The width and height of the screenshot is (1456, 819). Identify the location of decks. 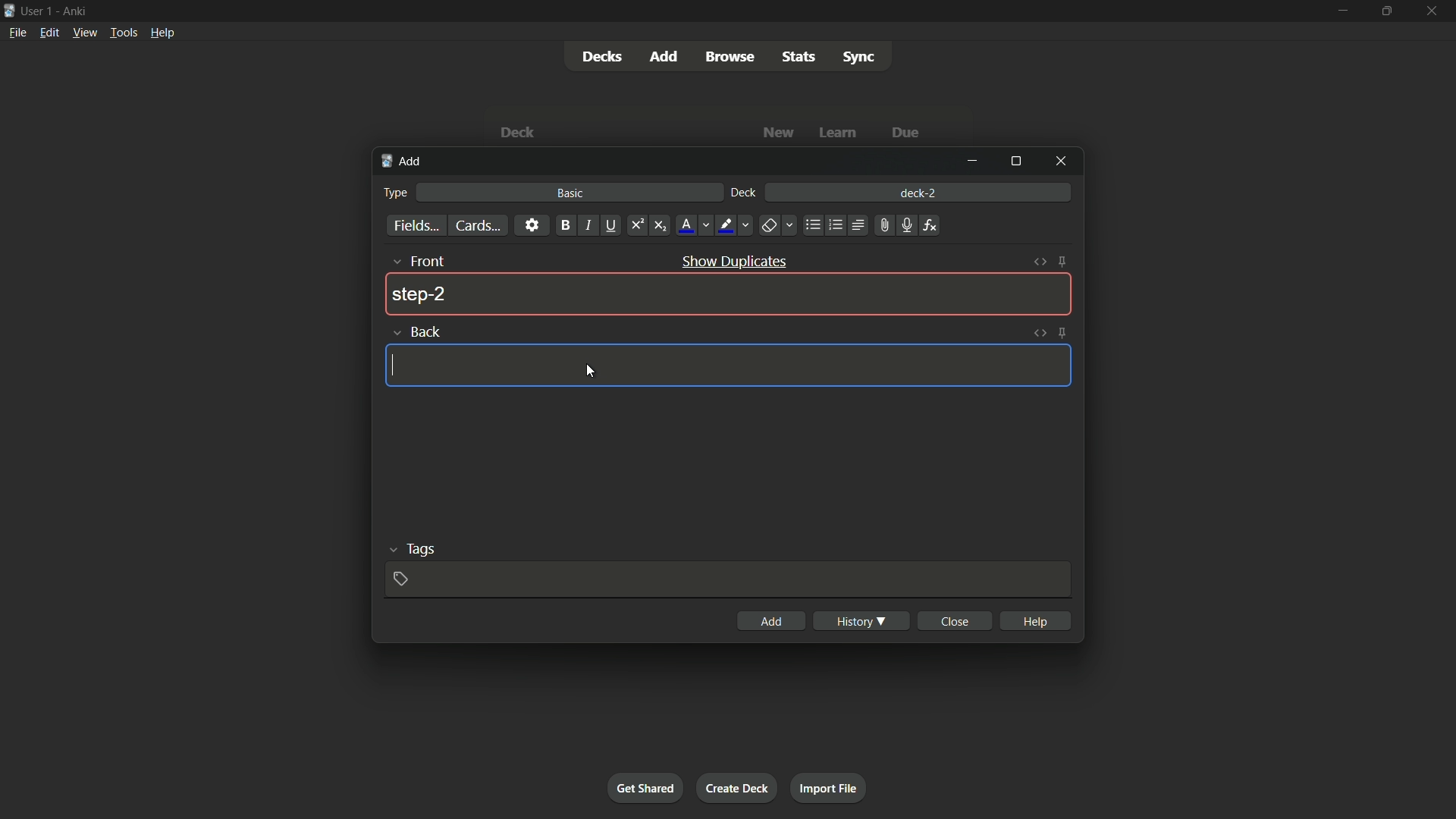
(600, 56).